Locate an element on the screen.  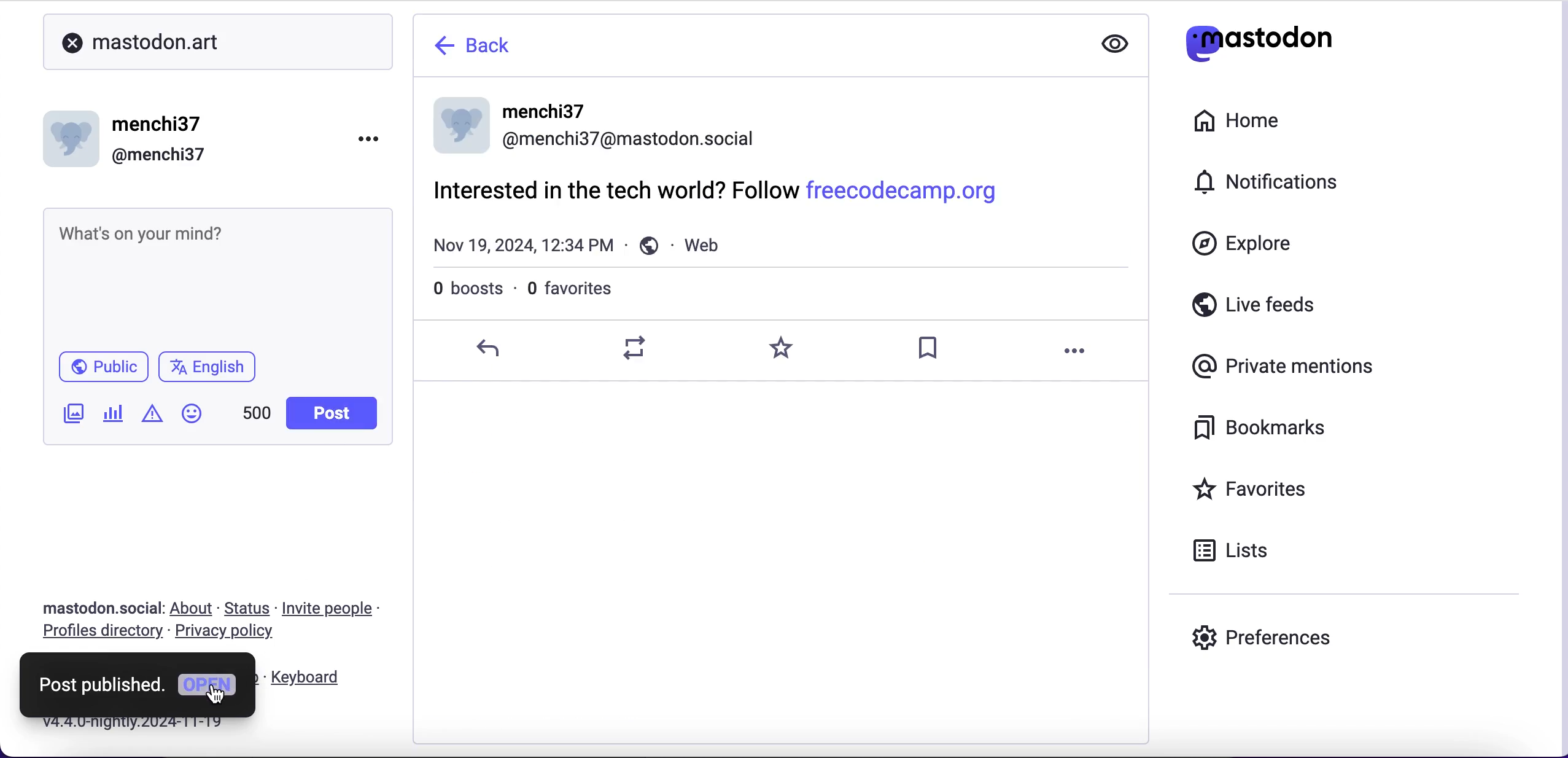
home is located at coordinates (1239, 122).